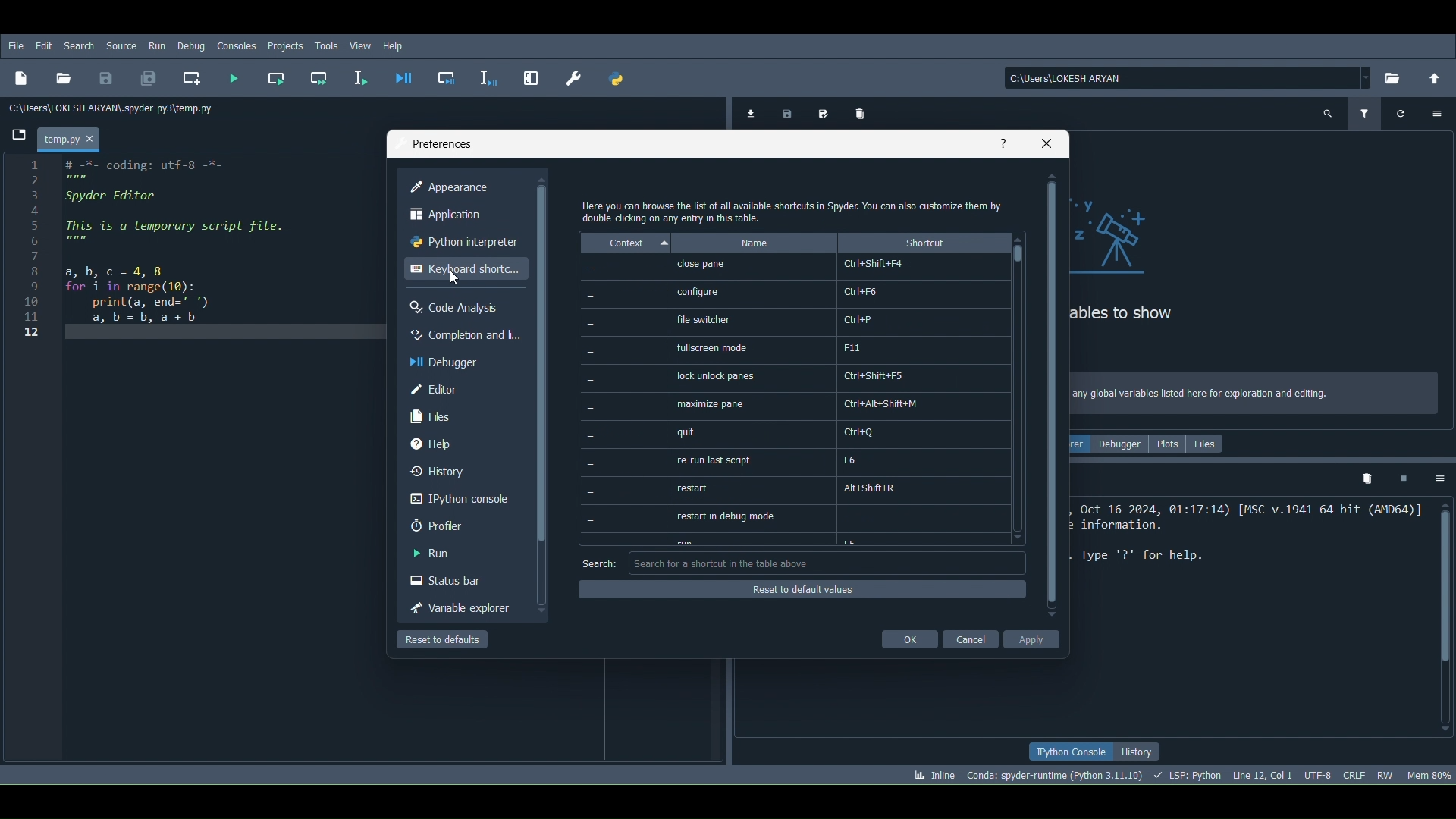  Describe the element at coordinates (16, 46) in the screenshot. I see `File` at that location.